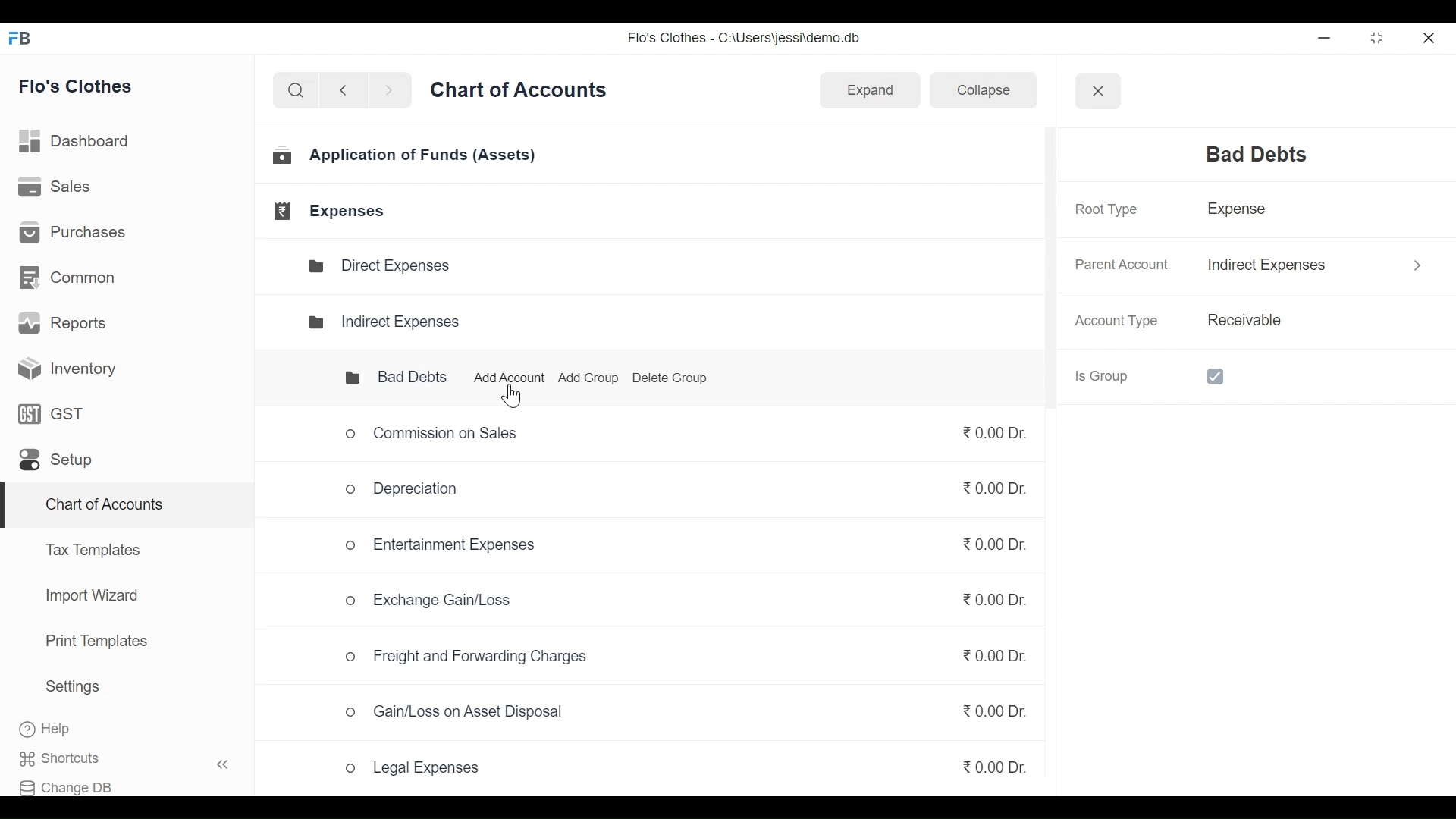  What do you see at coordinates (510, 394) in the screenshot?
I see `Cursor` at bounding box center [510, 394].